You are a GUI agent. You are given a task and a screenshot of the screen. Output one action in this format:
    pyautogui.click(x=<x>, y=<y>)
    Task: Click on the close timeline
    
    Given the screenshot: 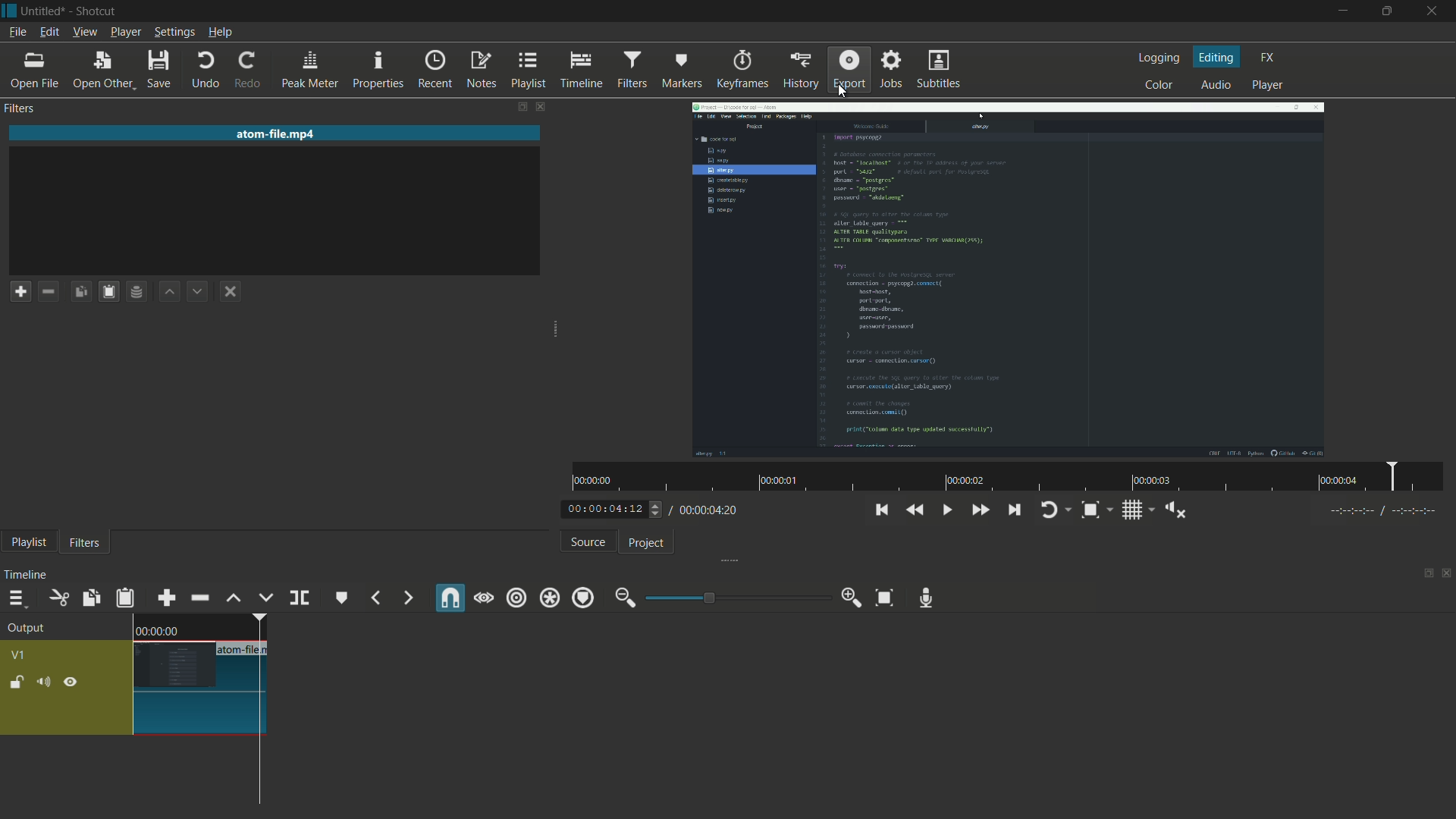 What is the action you would take?
    pyautogui.click(x=1447, y=574)
    